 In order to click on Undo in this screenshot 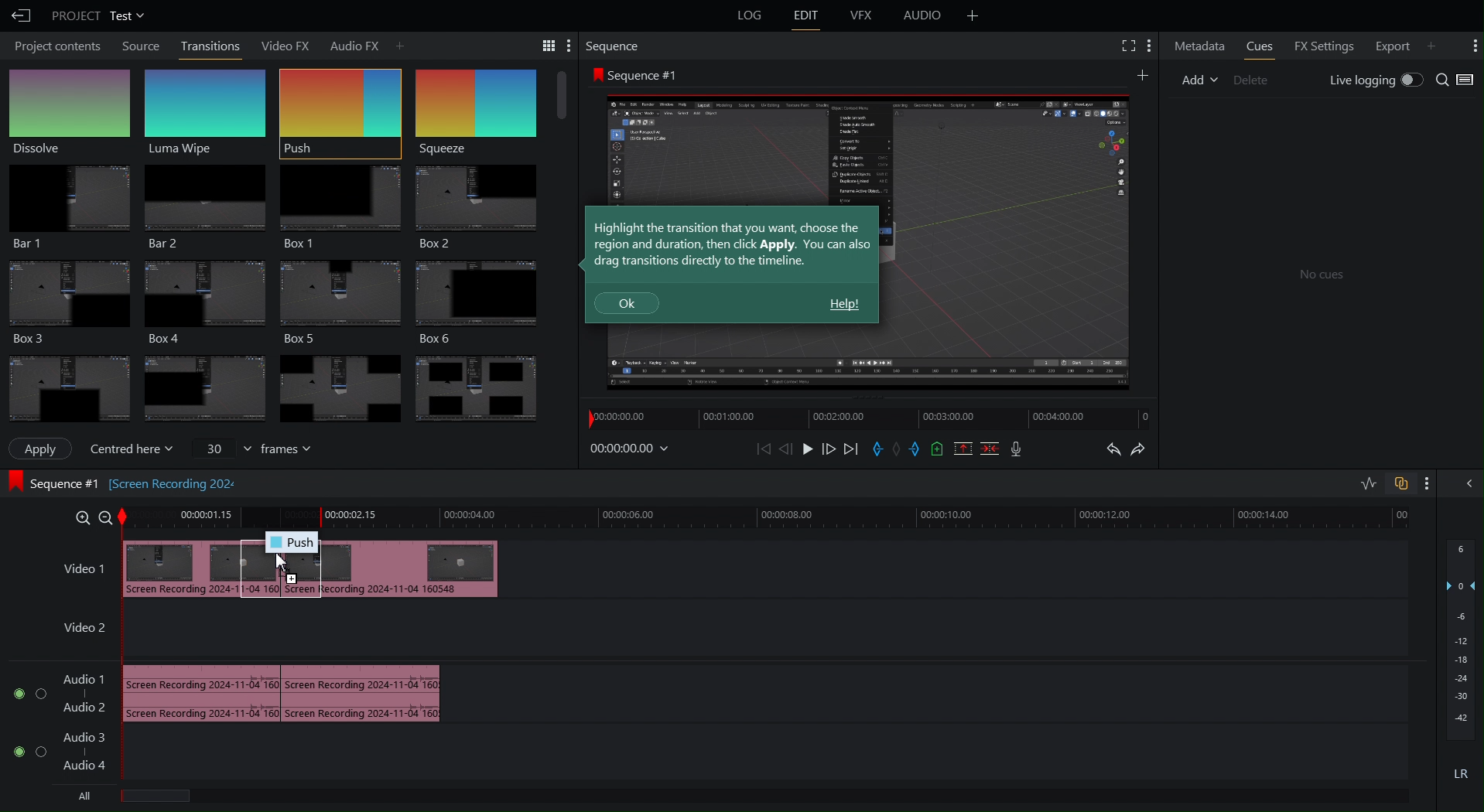, I will do `click(1110, 451)`.